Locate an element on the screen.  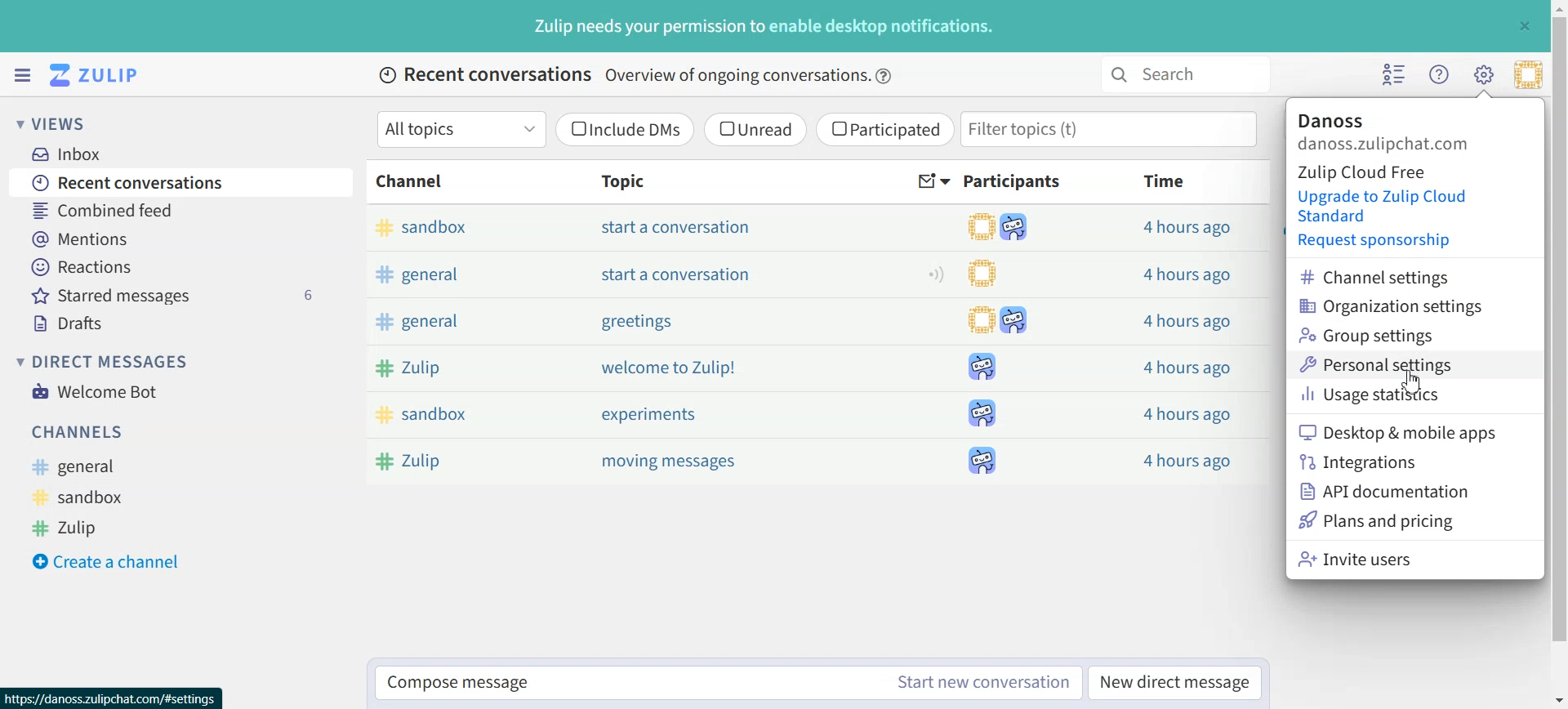
Desktop & mobile apps is located at coordinates (1396, 430).